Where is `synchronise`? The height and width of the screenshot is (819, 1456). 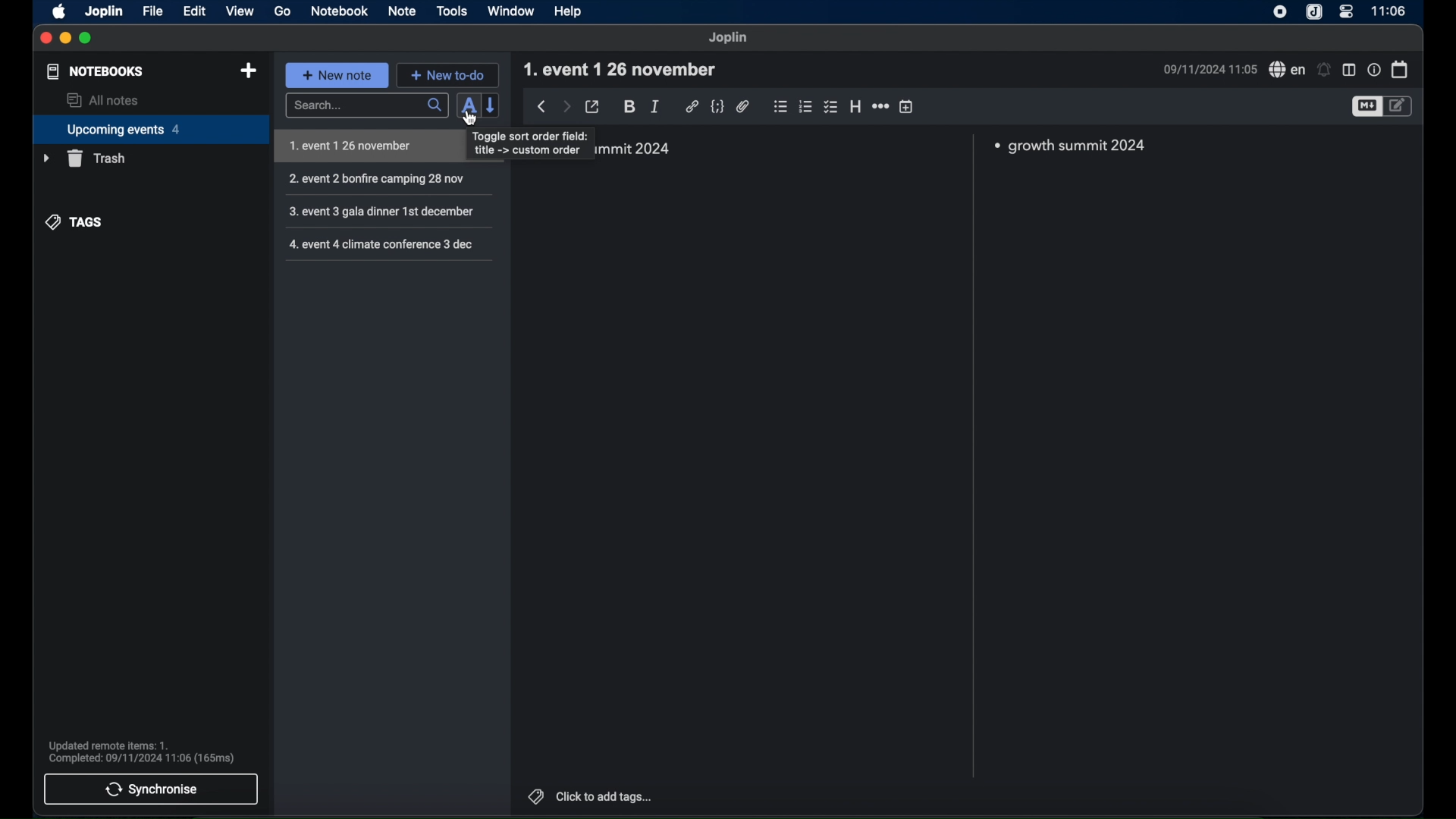 synchronise is located at coordinates (151, 791).